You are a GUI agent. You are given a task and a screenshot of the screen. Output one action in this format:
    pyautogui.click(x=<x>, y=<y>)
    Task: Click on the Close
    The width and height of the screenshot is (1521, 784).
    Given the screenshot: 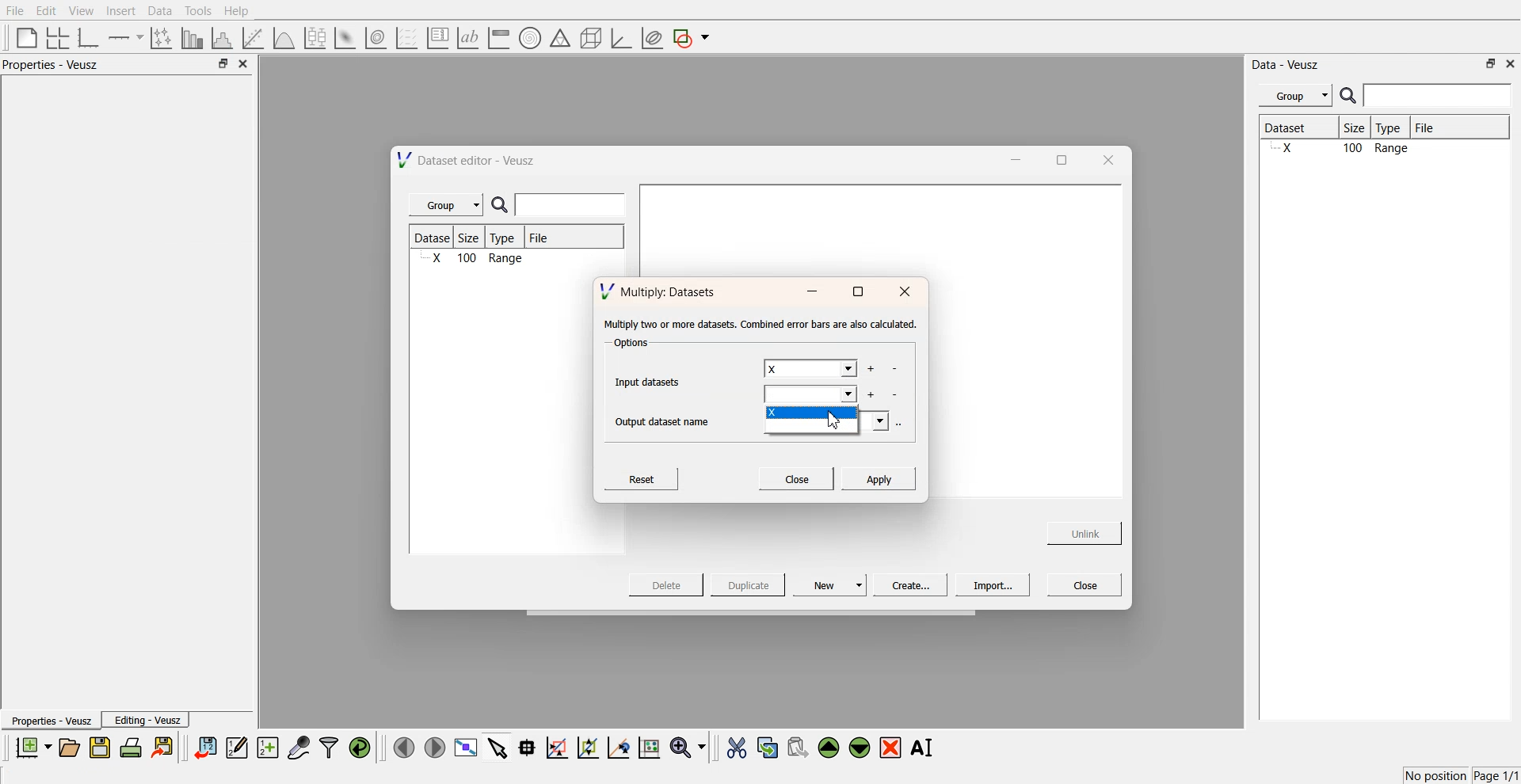 What is the action you would take?
    pyautogui.click(x=1085, y=584)
    